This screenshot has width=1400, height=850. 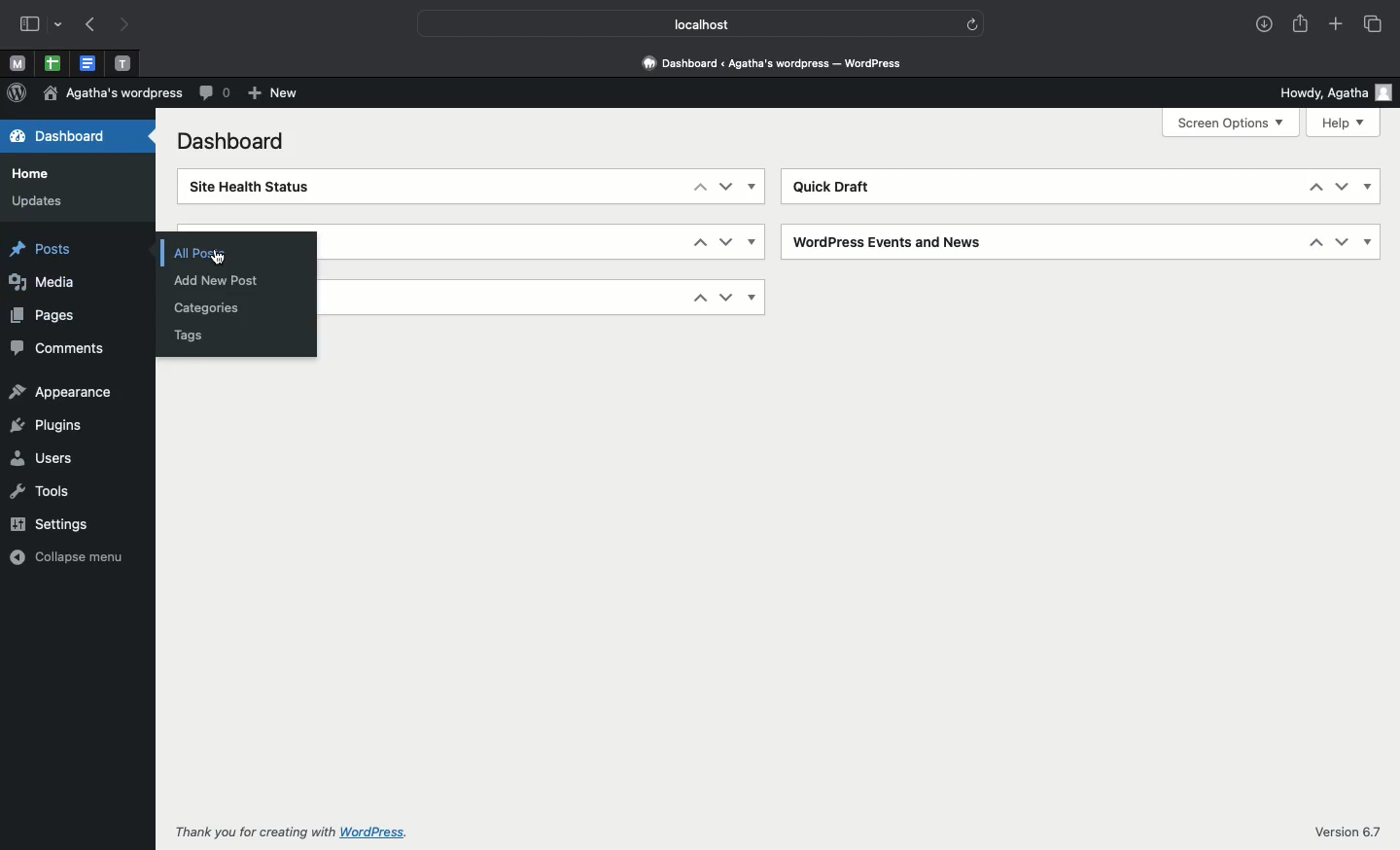 What do you see at coordinates (726, 297) in the screenshot?
I see `Down` at bounding box center [726, 297].